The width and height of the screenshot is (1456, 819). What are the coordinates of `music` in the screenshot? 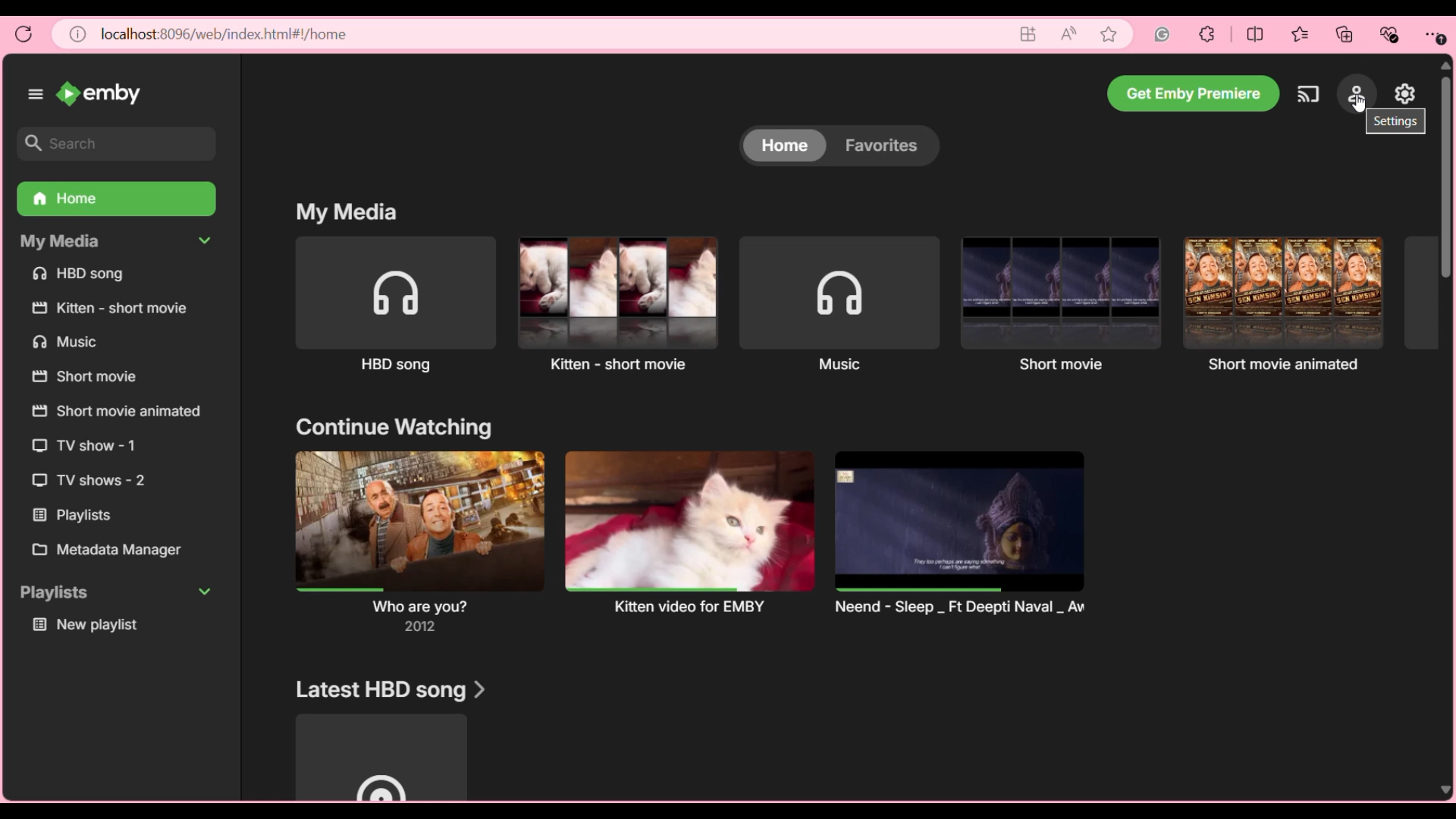 It's located at (65, 343).